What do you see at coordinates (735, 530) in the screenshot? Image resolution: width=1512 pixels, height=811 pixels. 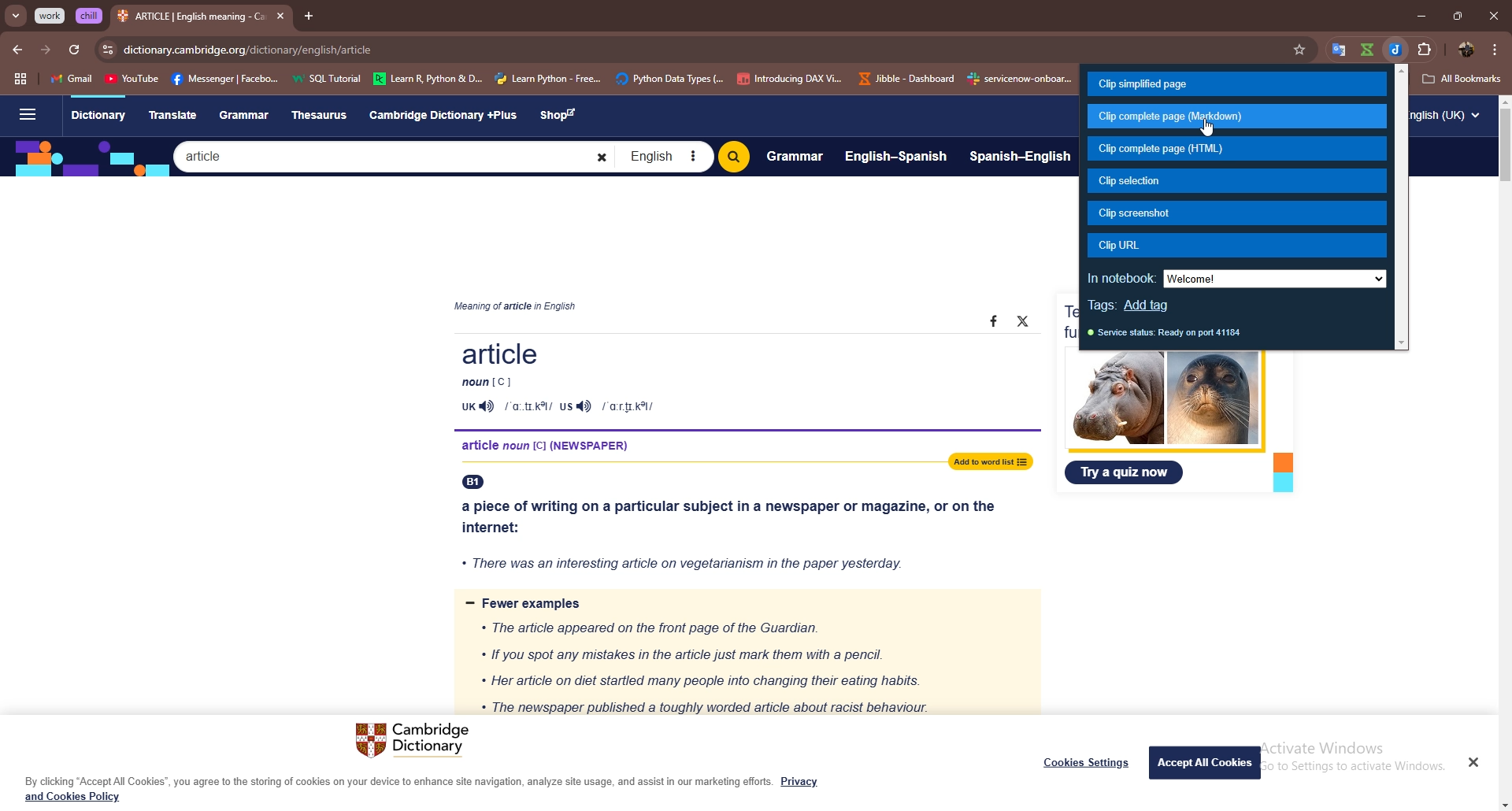 I see `a piece of writing on a particular subject in a newspaper or magazine, or on the
internet:
« There was an interesting article on vegetarianism in the paper yesterday.` at bounding box center [735, 530].